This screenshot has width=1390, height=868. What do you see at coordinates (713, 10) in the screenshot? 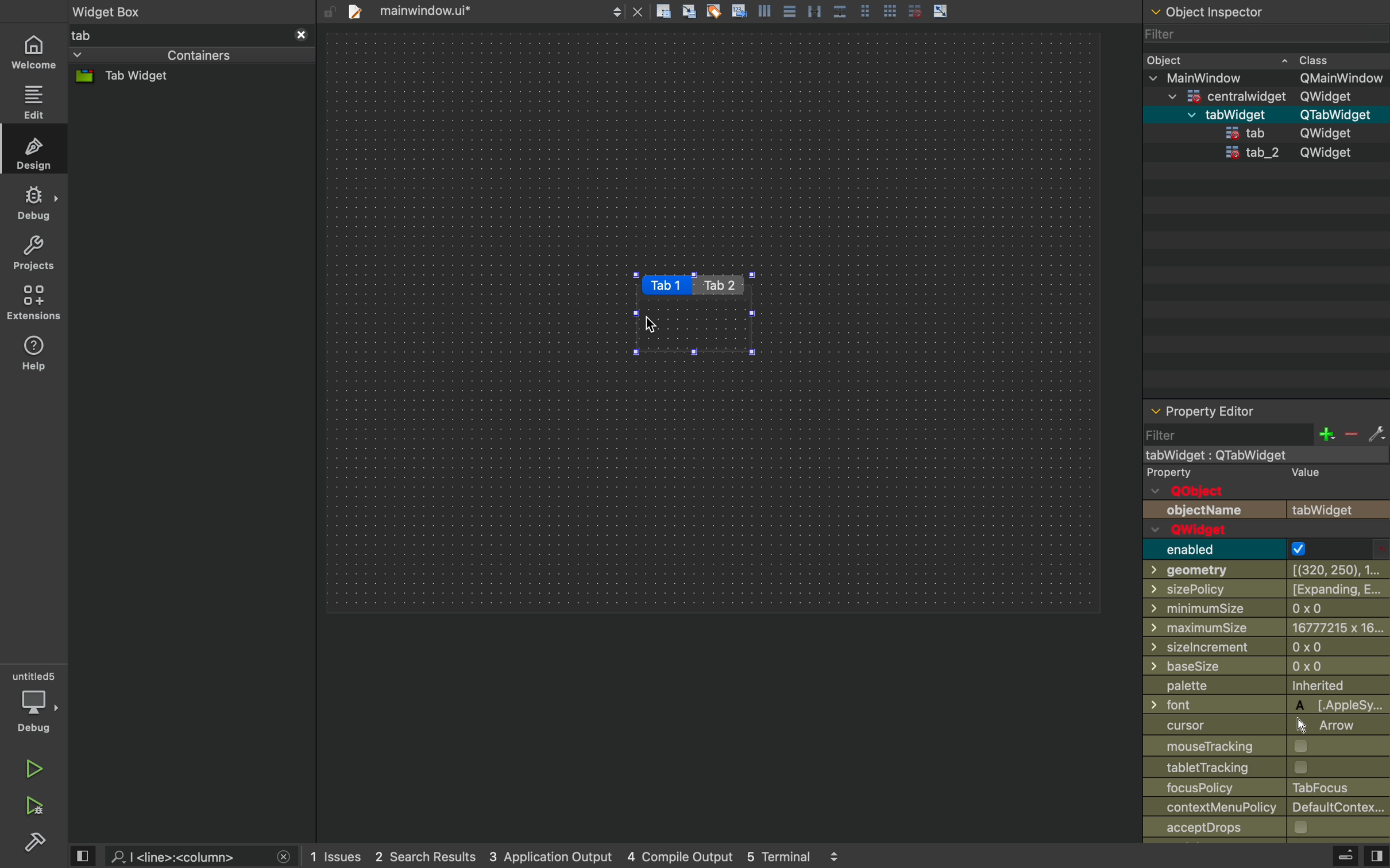
I see `tagging` at bounding box center [713, 10].